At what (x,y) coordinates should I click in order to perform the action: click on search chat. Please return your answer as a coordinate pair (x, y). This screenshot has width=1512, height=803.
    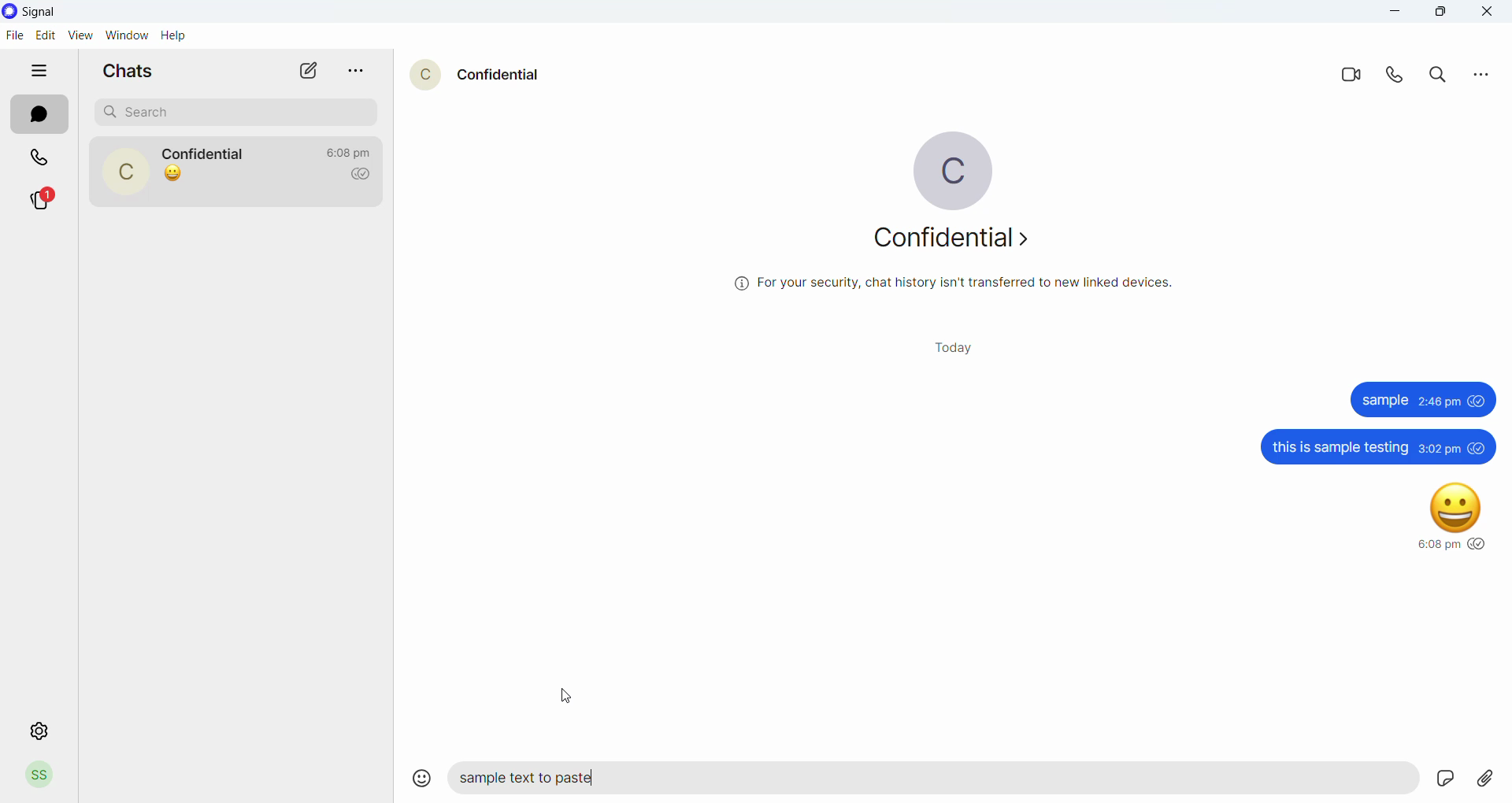
    Looking at the image, I should click on (240, 111).